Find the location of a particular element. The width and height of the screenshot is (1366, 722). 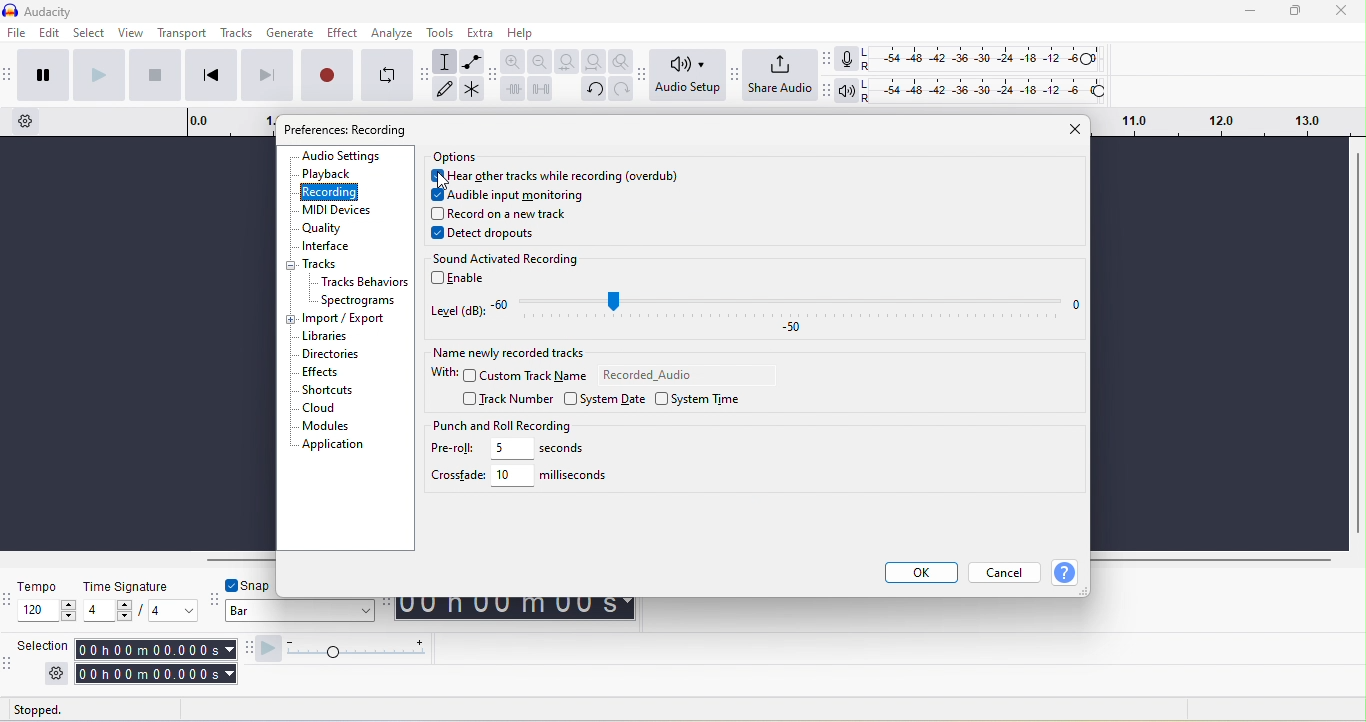

00 h 00 m 00 s is located at coordinates (520, 610).